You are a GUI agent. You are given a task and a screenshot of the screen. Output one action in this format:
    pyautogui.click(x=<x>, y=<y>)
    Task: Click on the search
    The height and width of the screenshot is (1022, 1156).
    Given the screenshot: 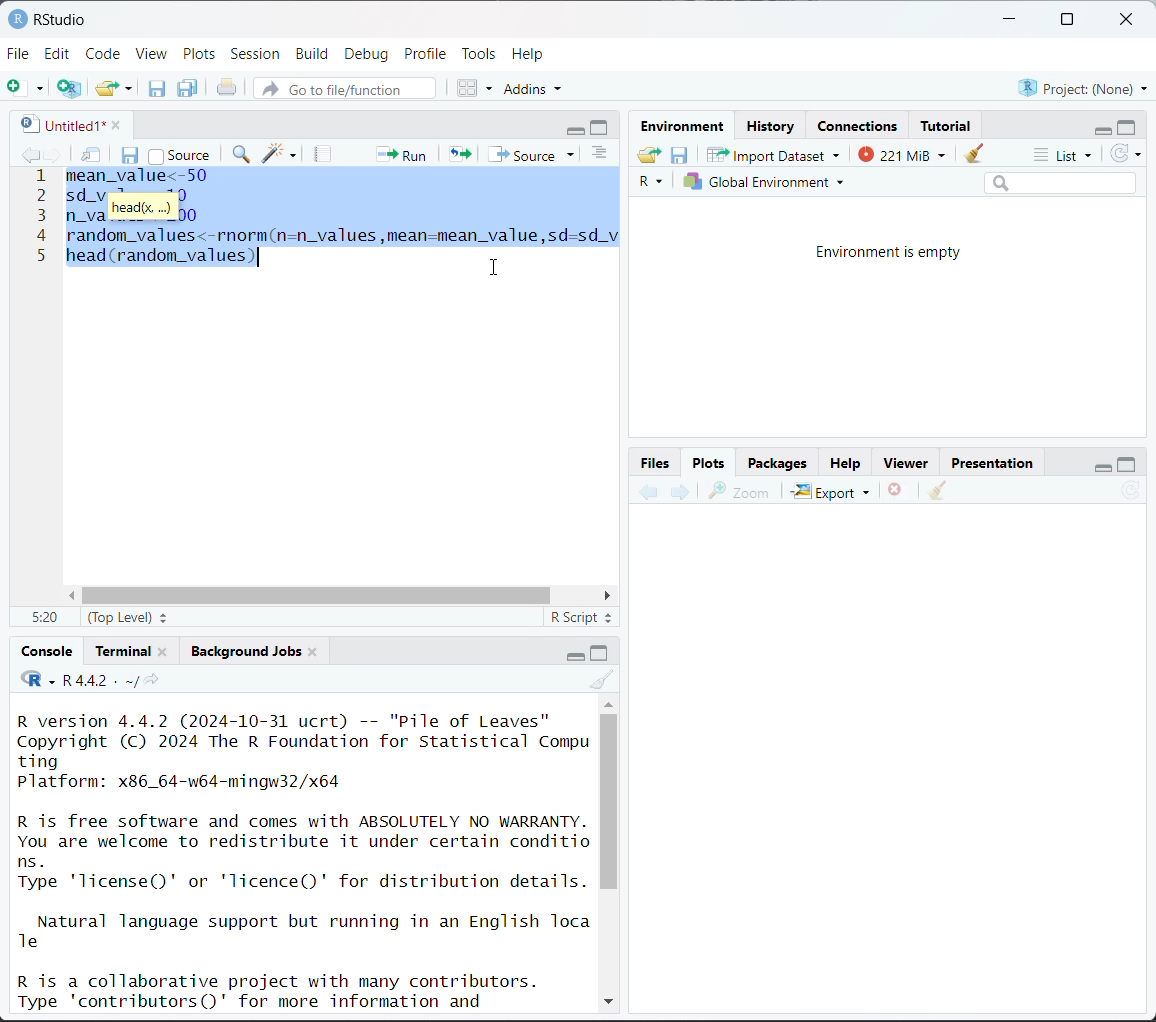 What is the action you would take?
    pyautogui.click(x=1060, y=182)
    